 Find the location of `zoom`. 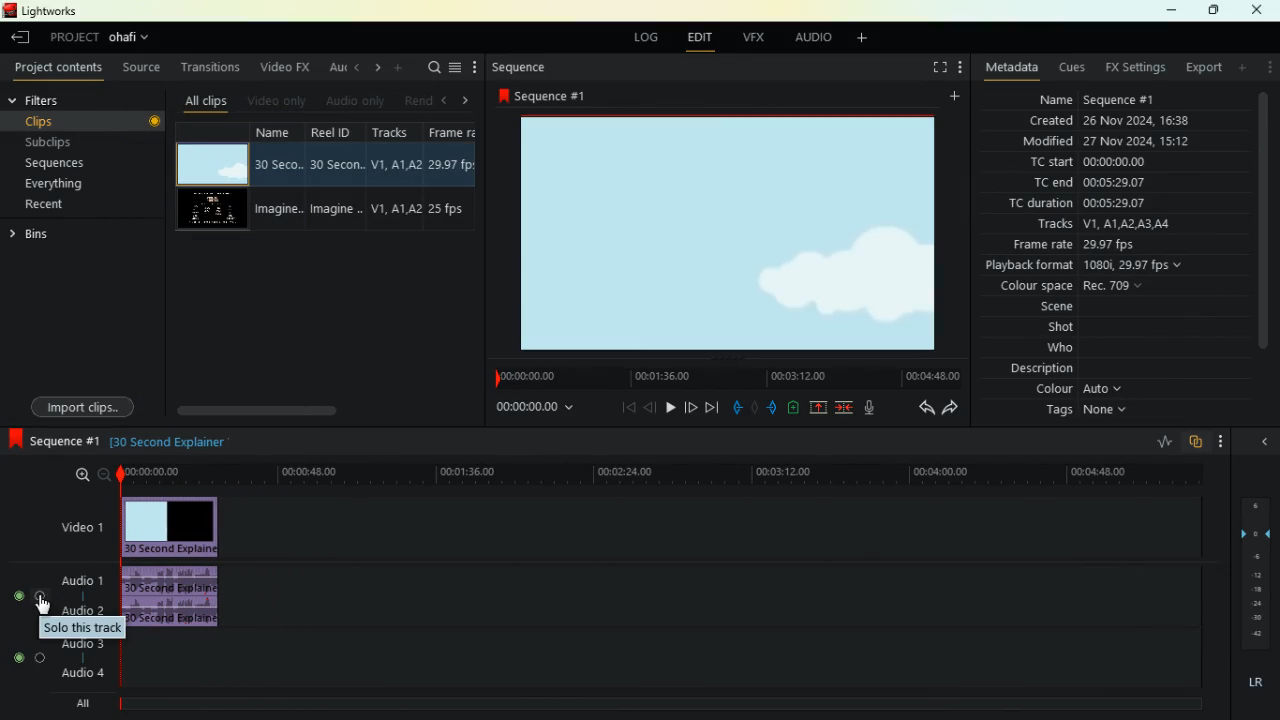

zoom is located at coordinates (85, 474).